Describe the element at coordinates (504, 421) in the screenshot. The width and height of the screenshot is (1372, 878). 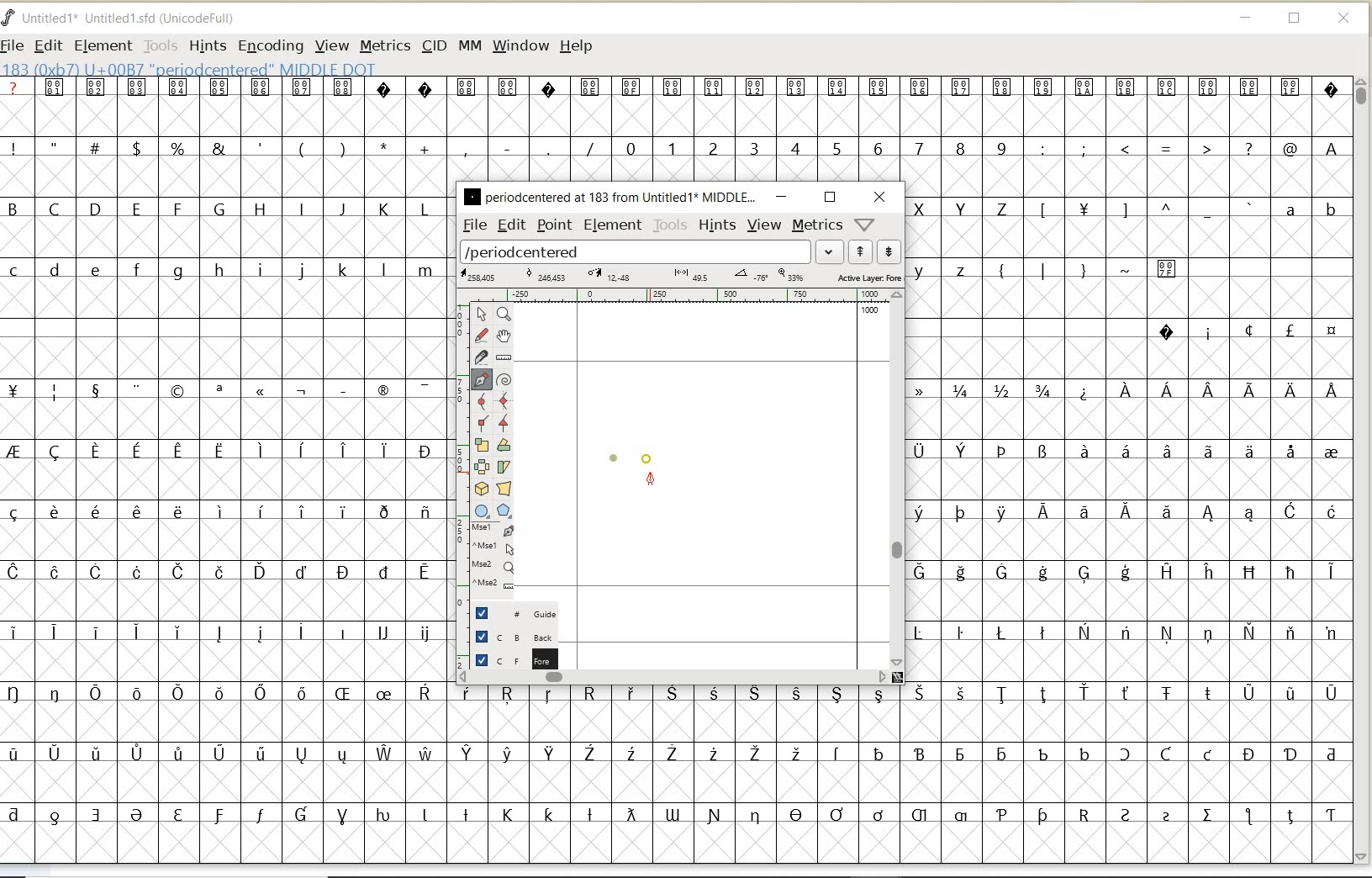
I see `Add a corner point` at that location.